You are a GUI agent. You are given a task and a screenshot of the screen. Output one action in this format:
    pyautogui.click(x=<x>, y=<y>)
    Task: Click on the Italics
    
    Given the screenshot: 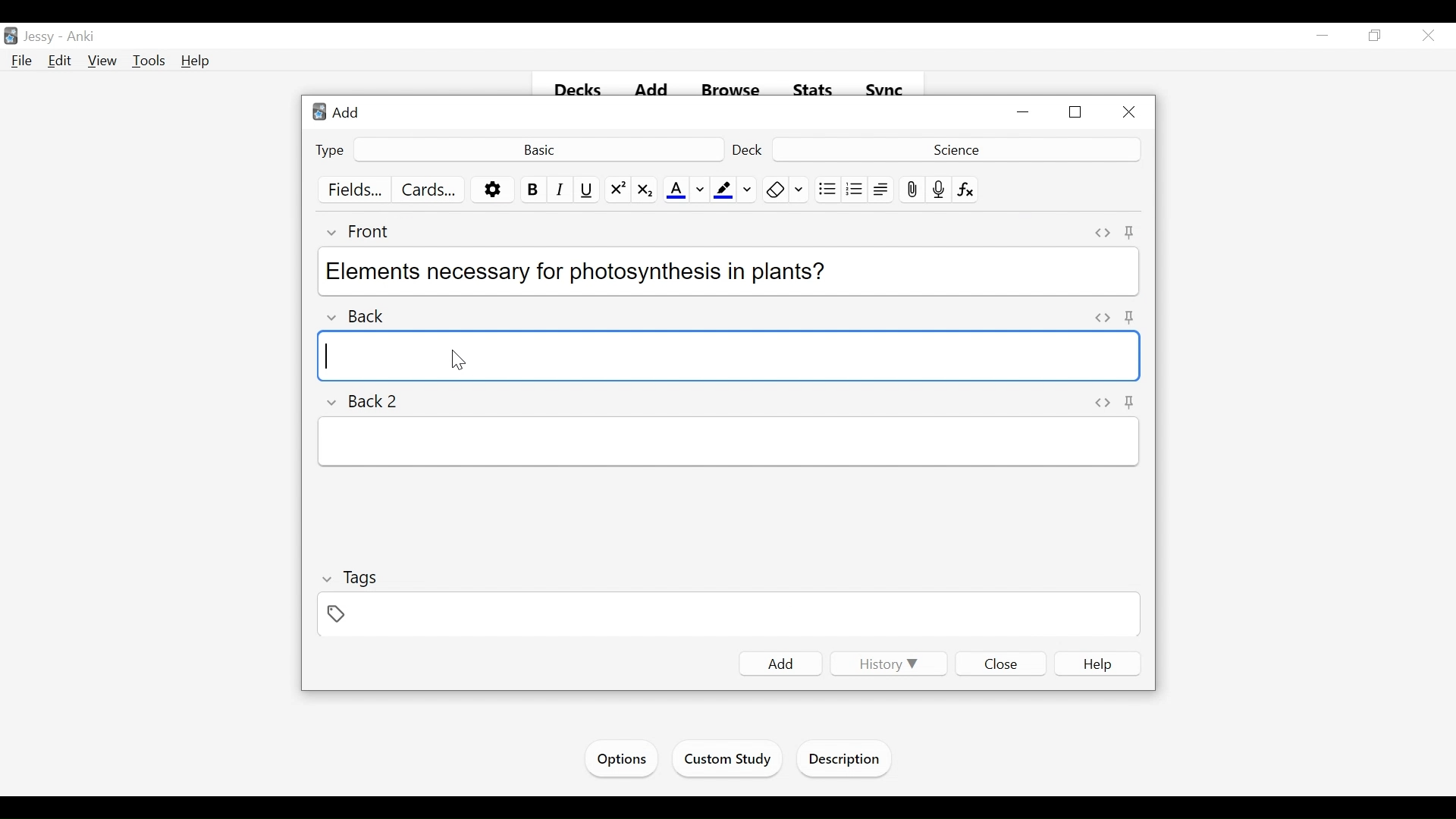 What is the action you would take?
    pyautogui.click(x=560, y=190)
    